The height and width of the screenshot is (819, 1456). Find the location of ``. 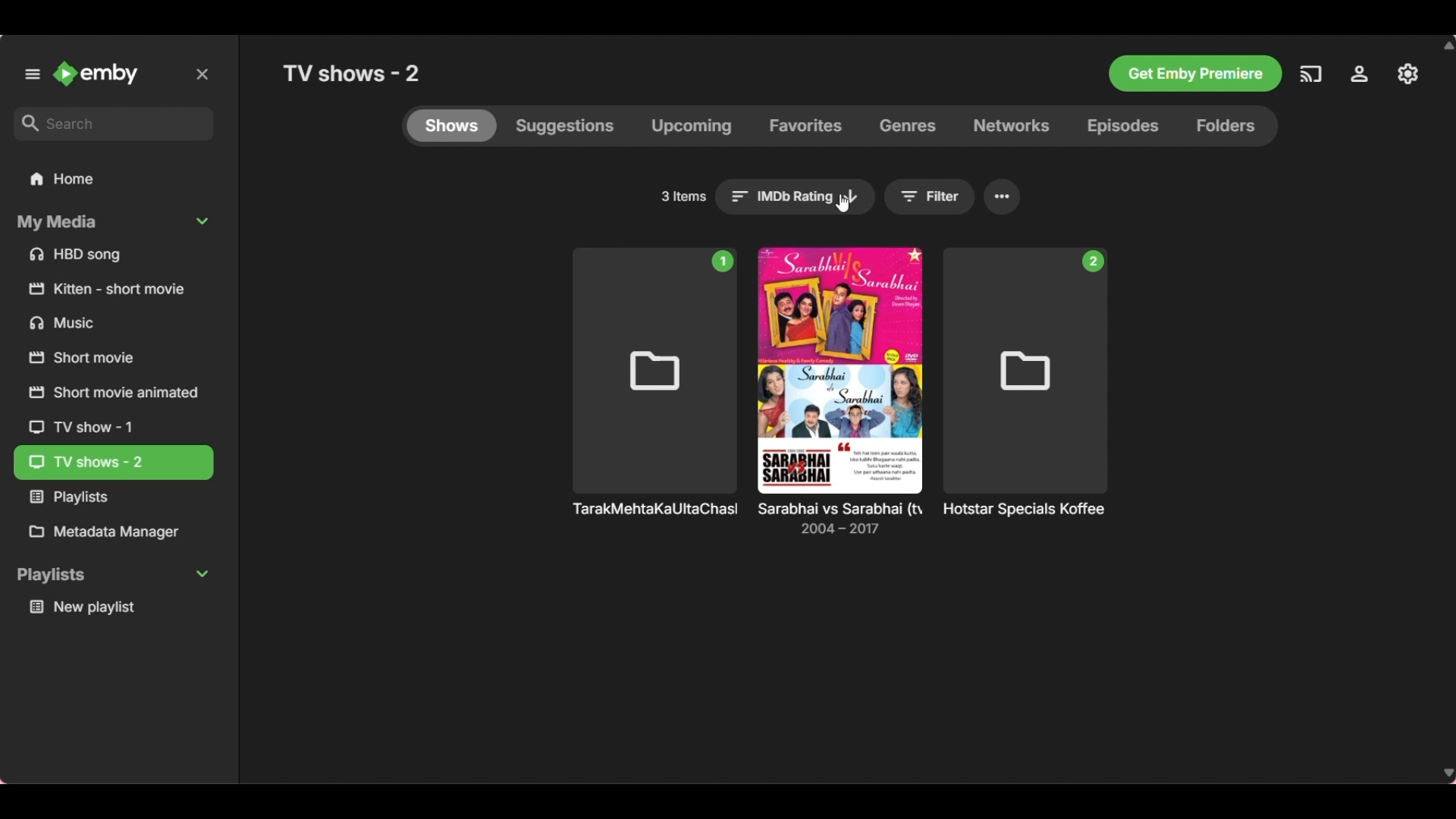

 is located at coordinates (1025, 382).